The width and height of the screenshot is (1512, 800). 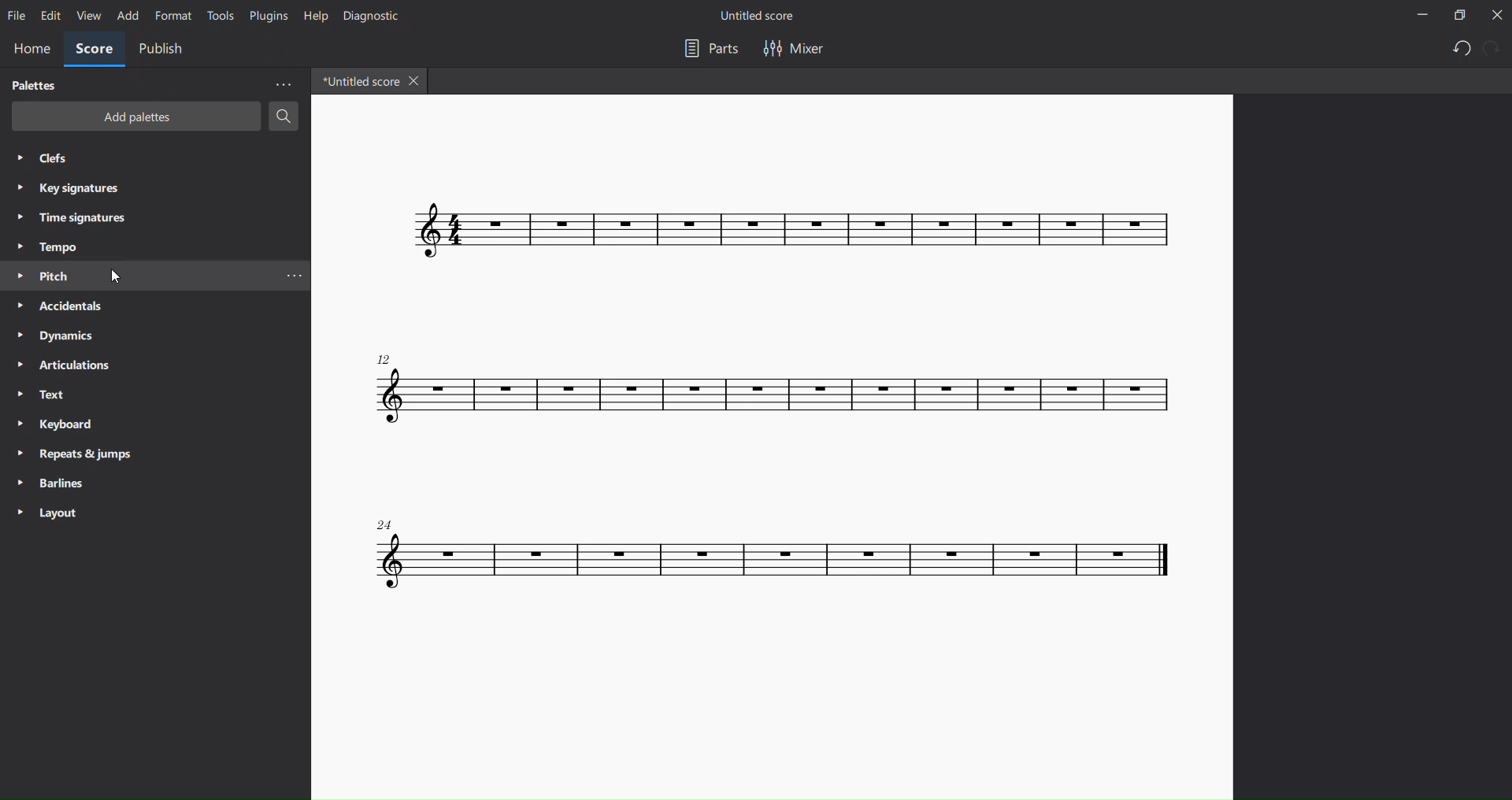 I want to click on public, so click(x=165, y=51).